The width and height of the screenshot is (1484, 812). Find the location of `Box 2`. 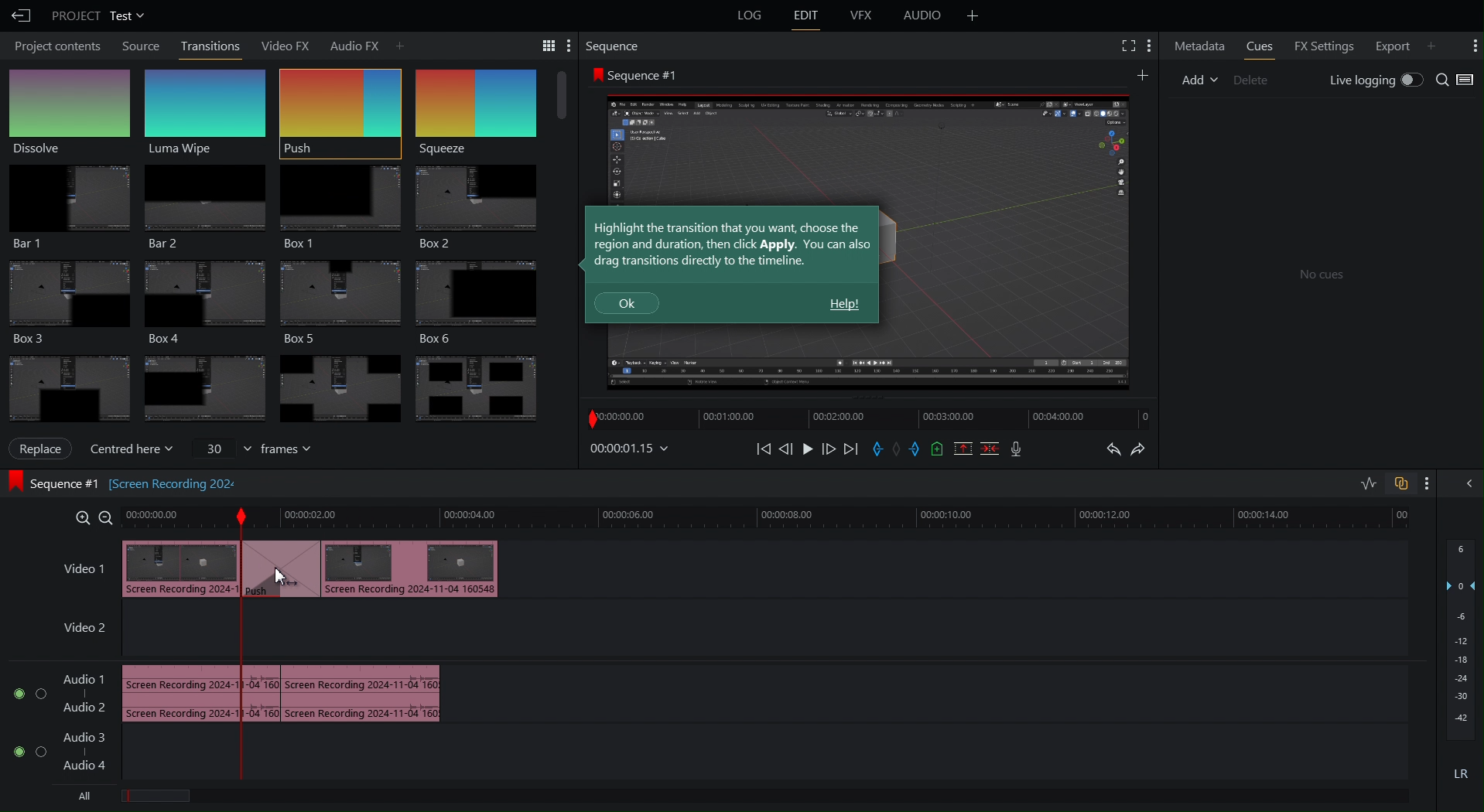

Box 2 is located at coordinates (479, 209).